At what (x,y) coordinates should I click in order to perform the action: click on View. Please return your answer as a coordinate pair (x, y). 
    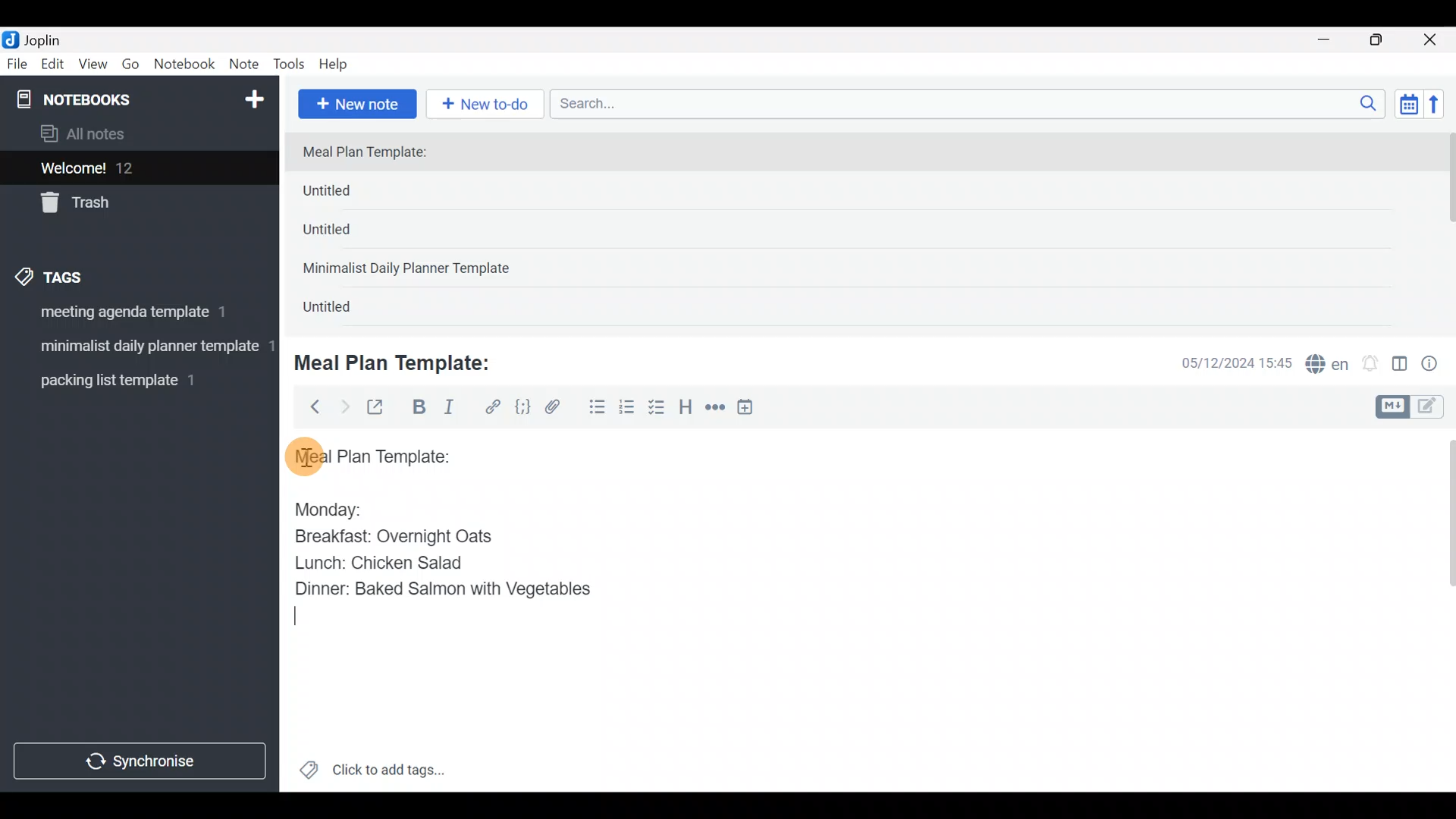
    Looking at the image, I should click on (93, 67).